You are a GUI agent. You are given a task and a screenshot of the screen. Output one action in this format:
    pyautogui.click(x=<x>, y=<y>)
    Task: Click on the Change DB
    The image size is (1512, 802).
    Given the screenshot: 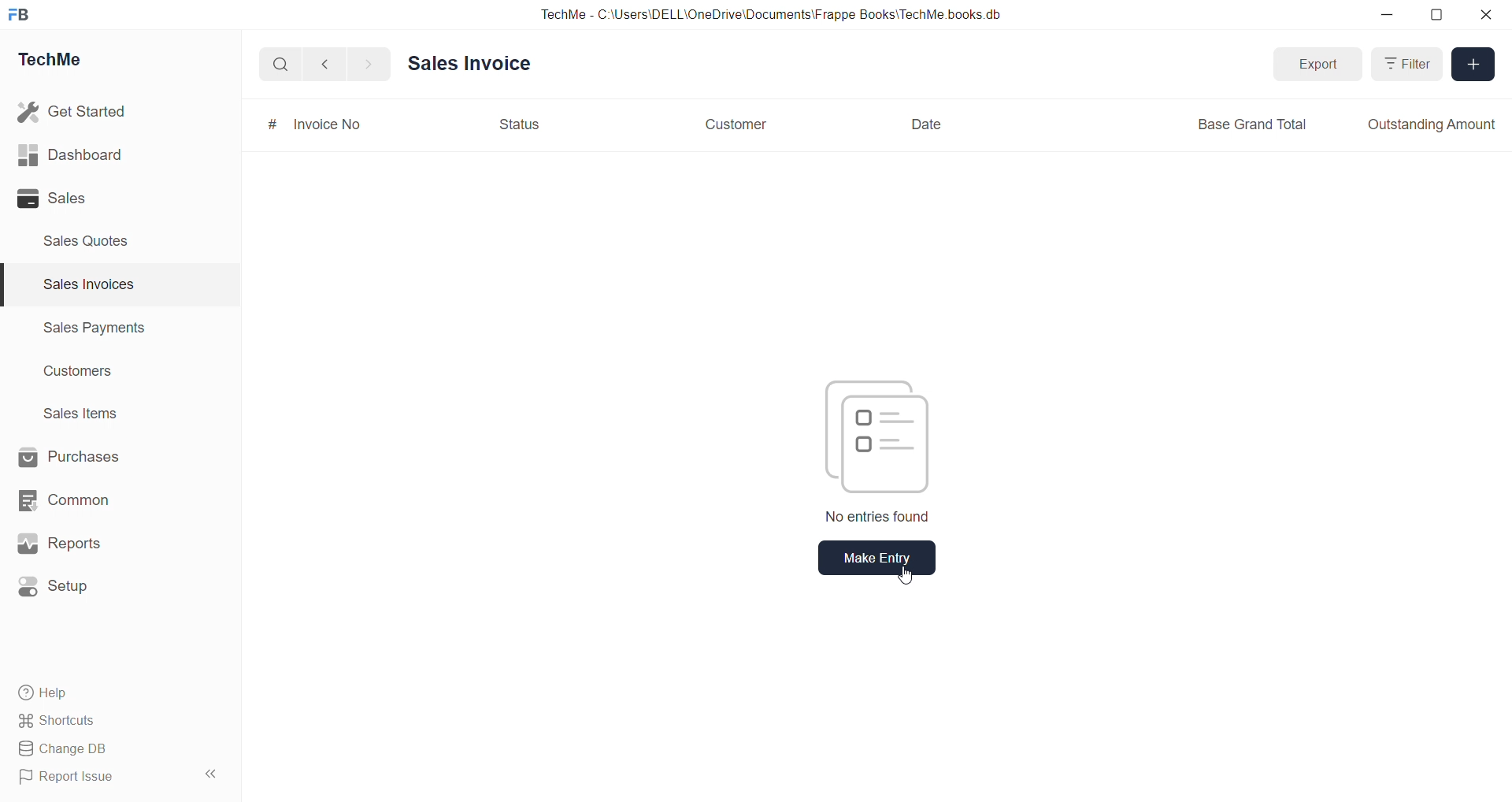 What is the action you would take?
    pyautogui.click(x=69, y=749)
    